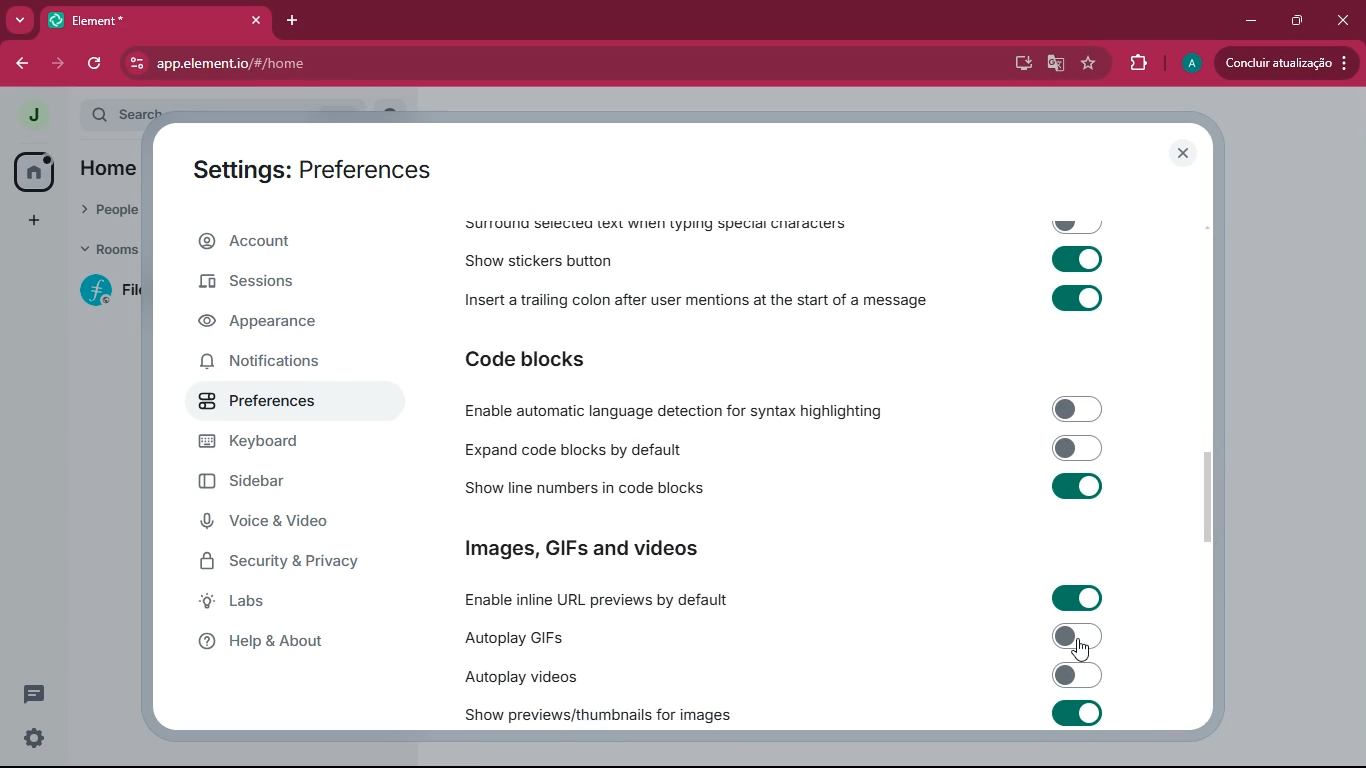 The image size is (1366, 768). I want to click on Show line numbers in code blocks, so click(781, 488).